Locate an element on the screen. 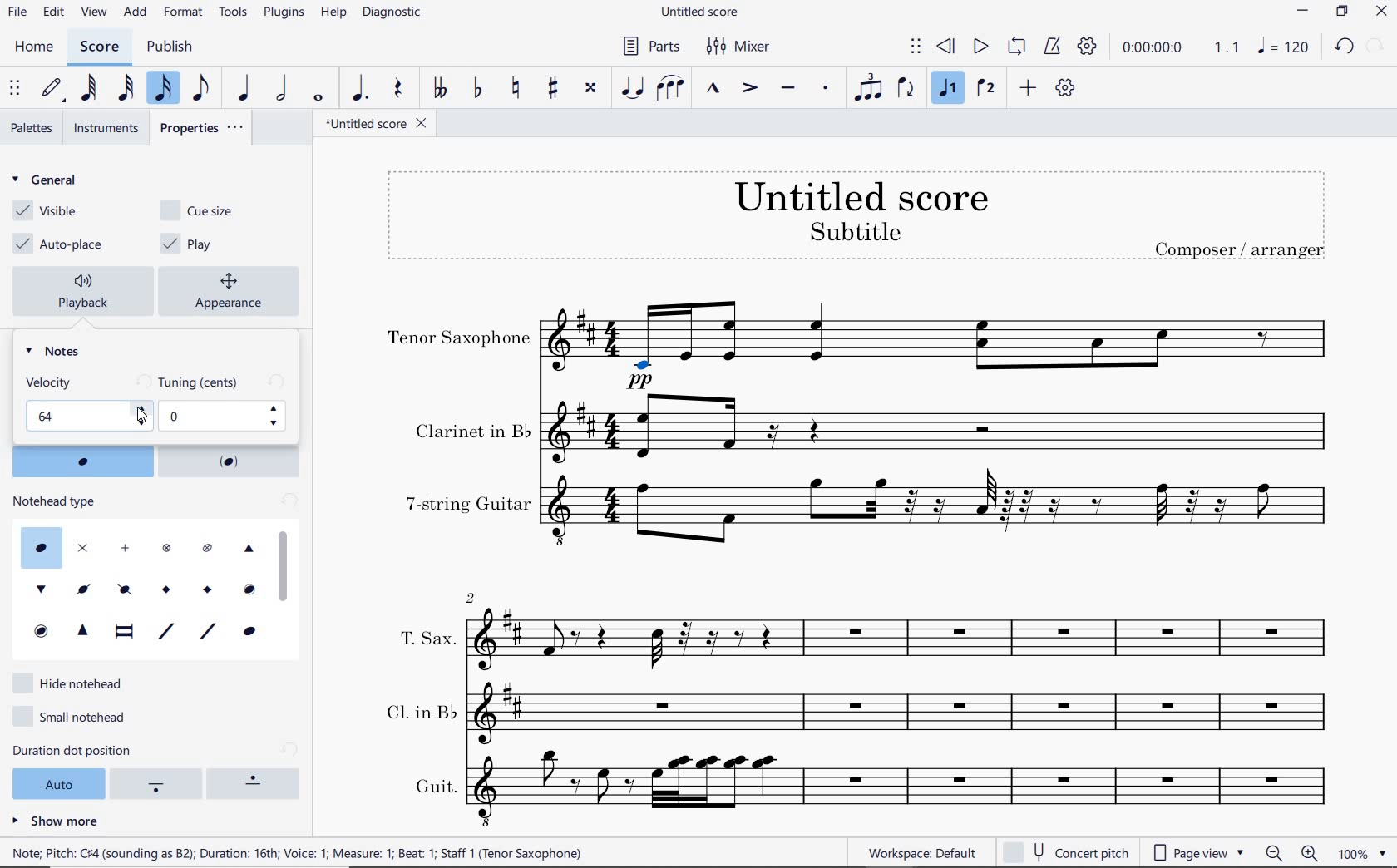 This screenshot has width=1397, height=868. page view is located at coordinates (1202, 851).